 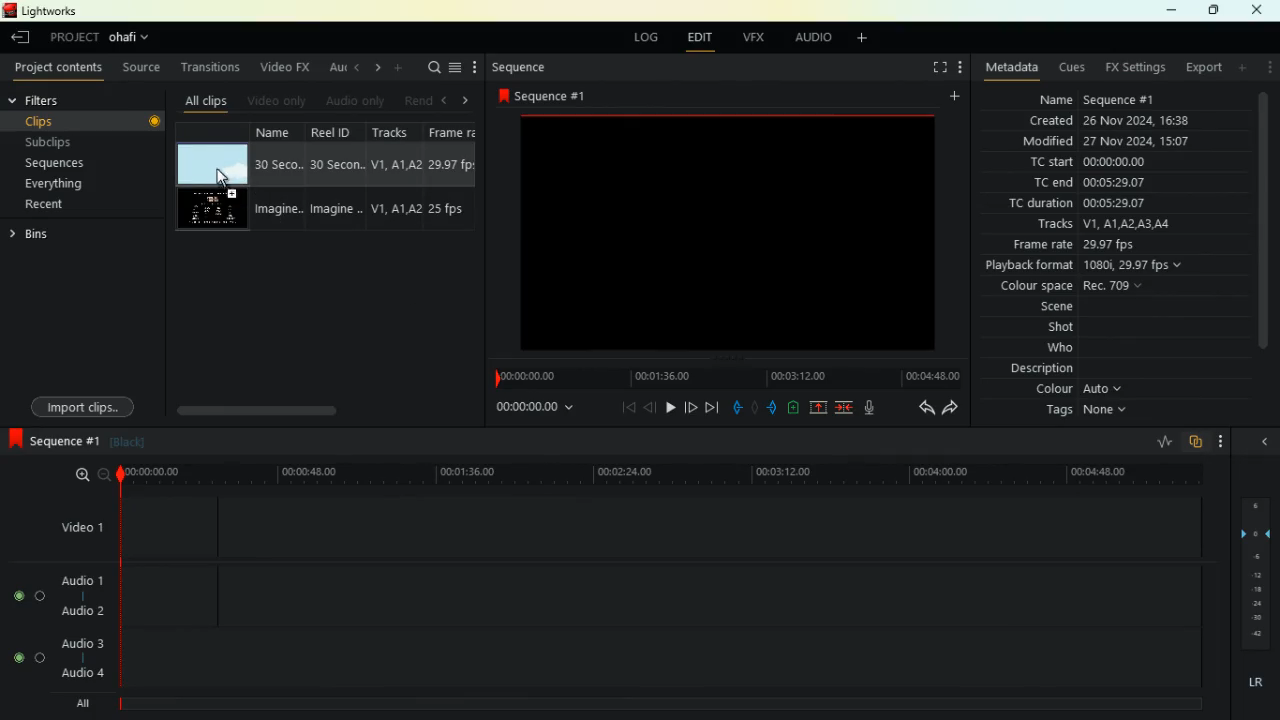 What do you see at coordinates (81, 525) in the screenshot?
I see `video 1` at bounding box center [81, 525].